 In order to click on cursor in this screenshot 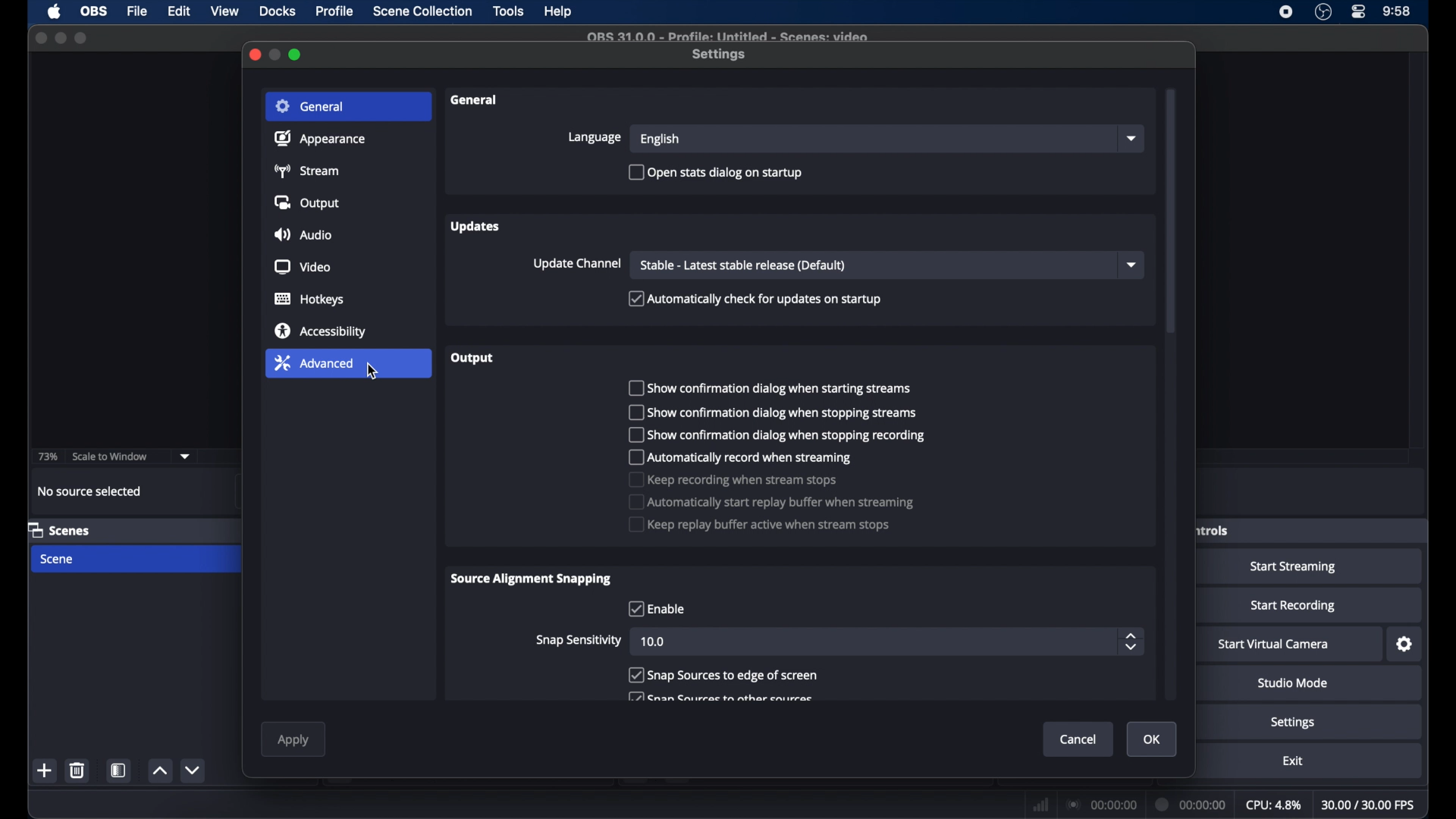, I will do `click(373, 372)`.